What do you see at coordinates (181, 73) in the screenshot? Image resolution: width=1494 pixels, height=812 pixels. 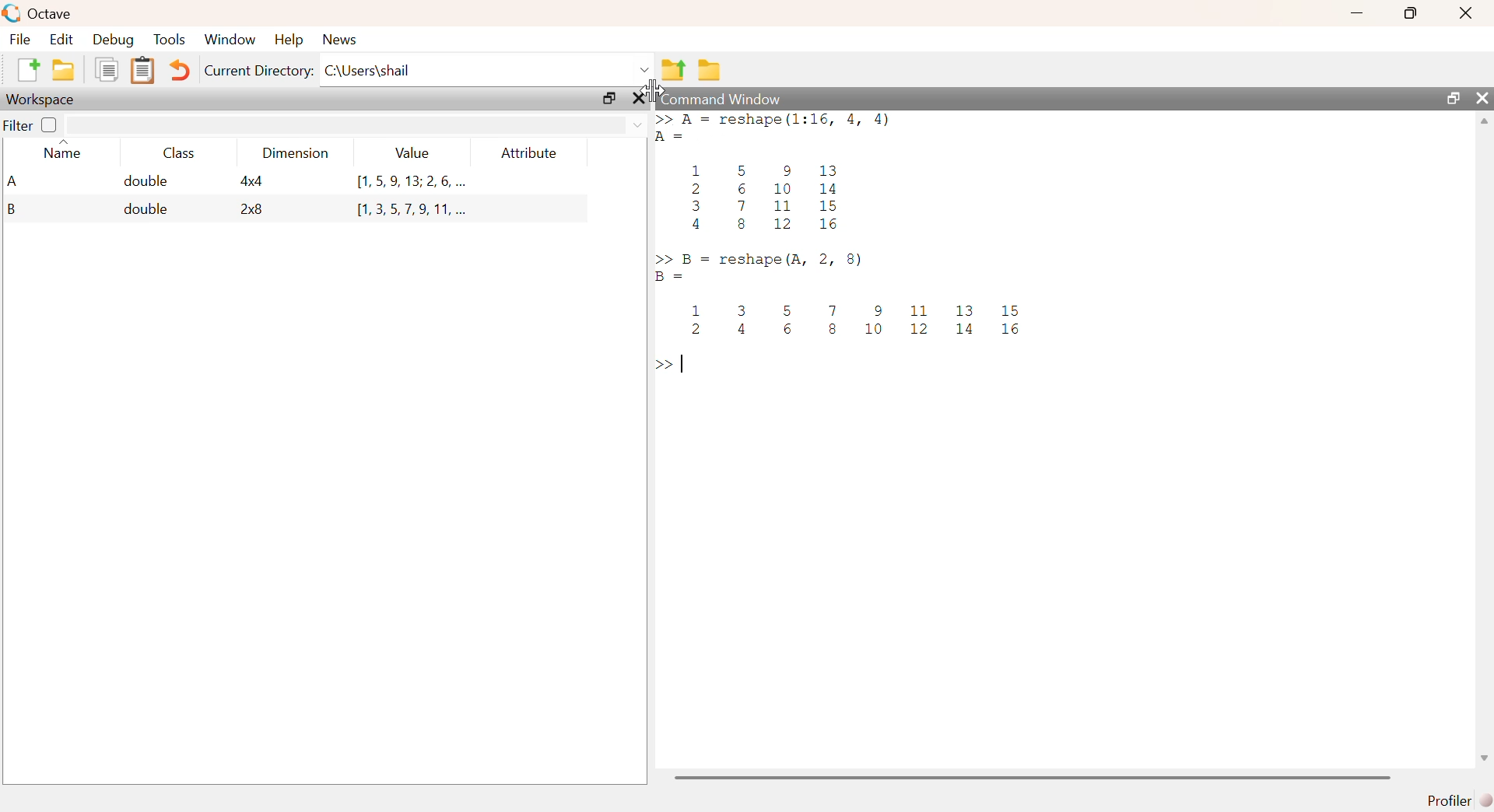 I see `undo` at bounding box center [181, 73].